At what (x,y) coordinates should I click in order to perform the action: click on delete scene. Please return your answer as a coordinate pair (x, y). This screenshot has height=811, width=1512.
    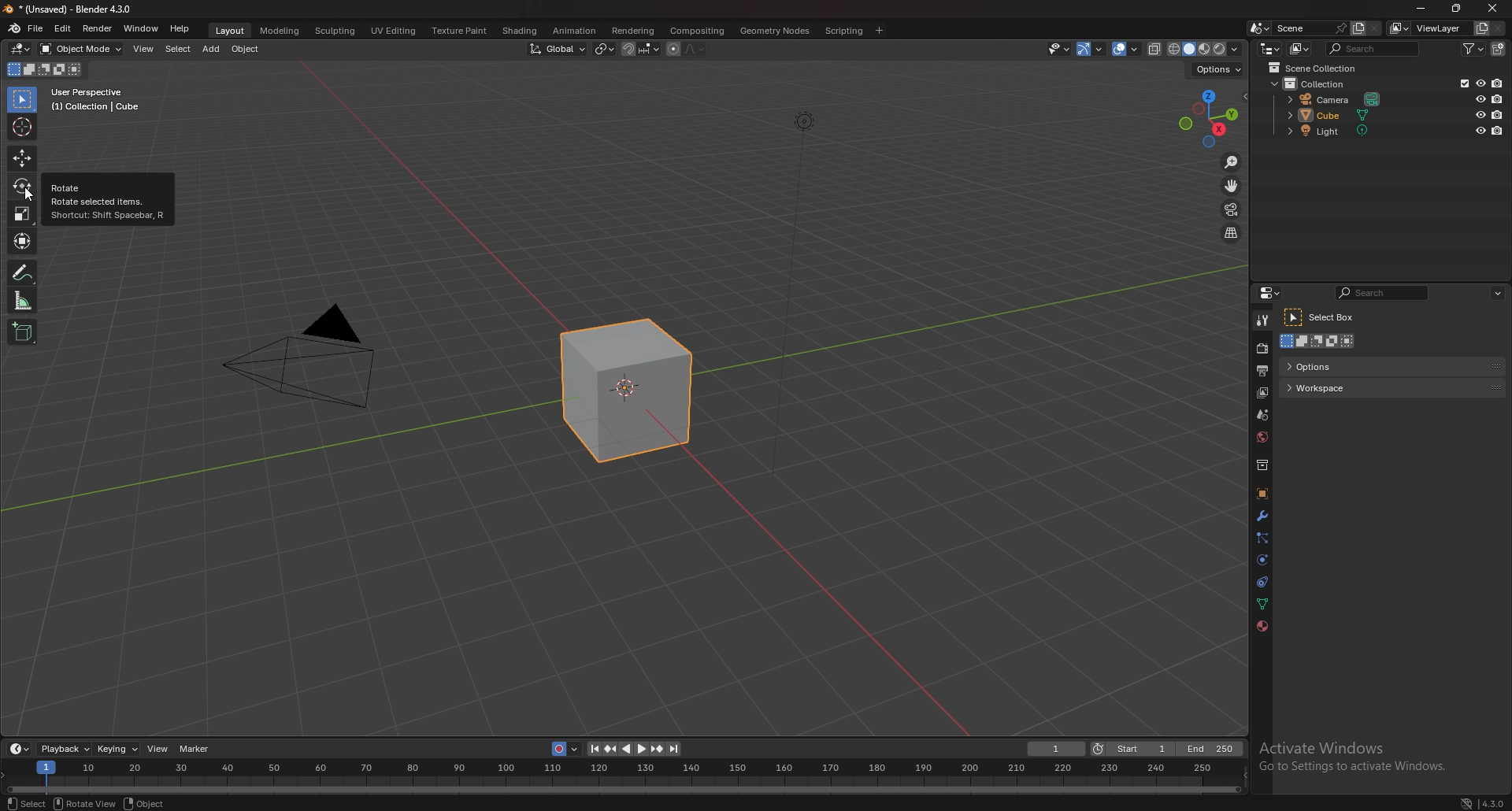
    Looking at the image, I should click on (1374, 28).